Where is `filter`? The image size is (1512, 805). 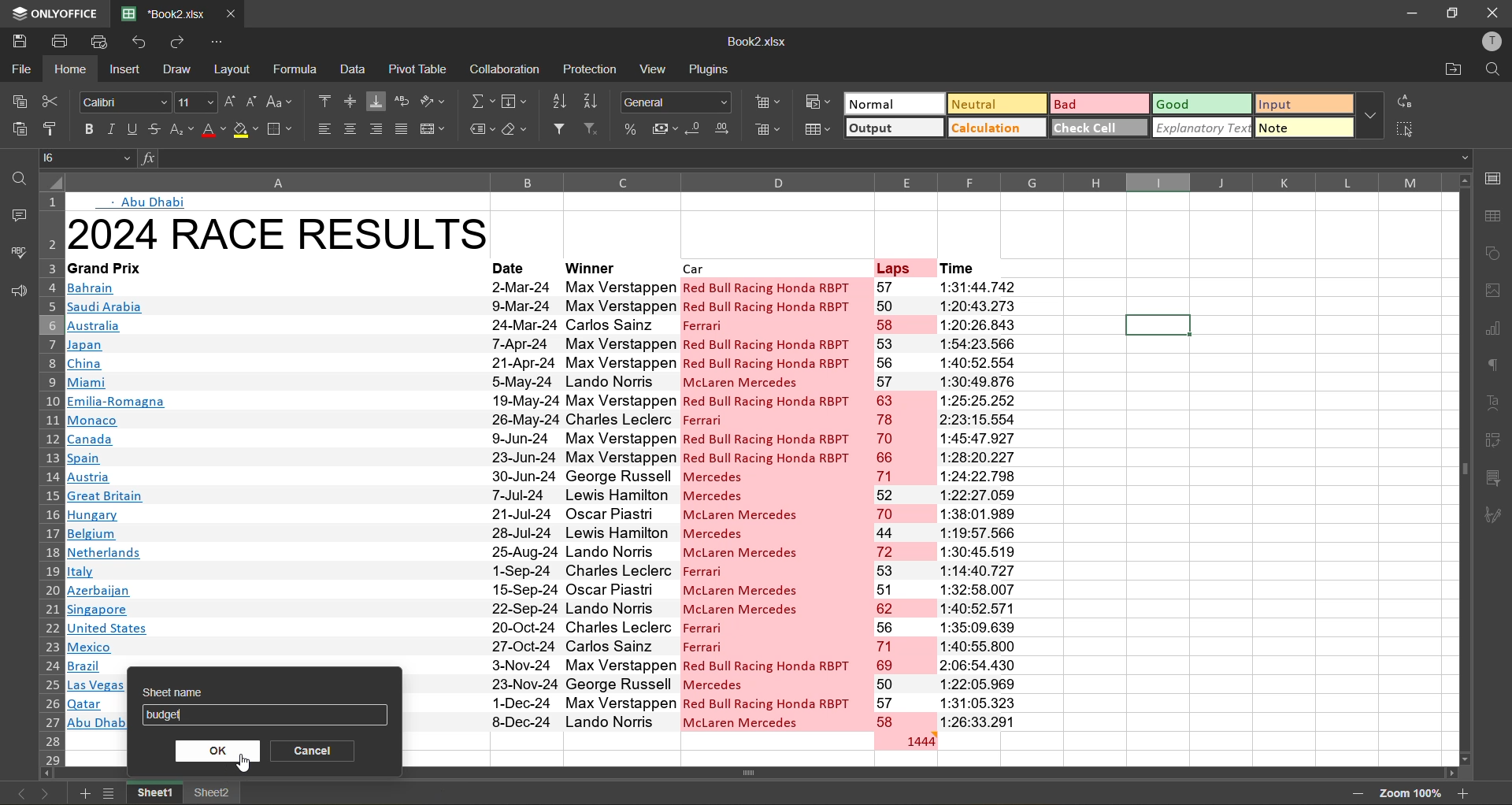
filter is located at coordinates (561, 129).